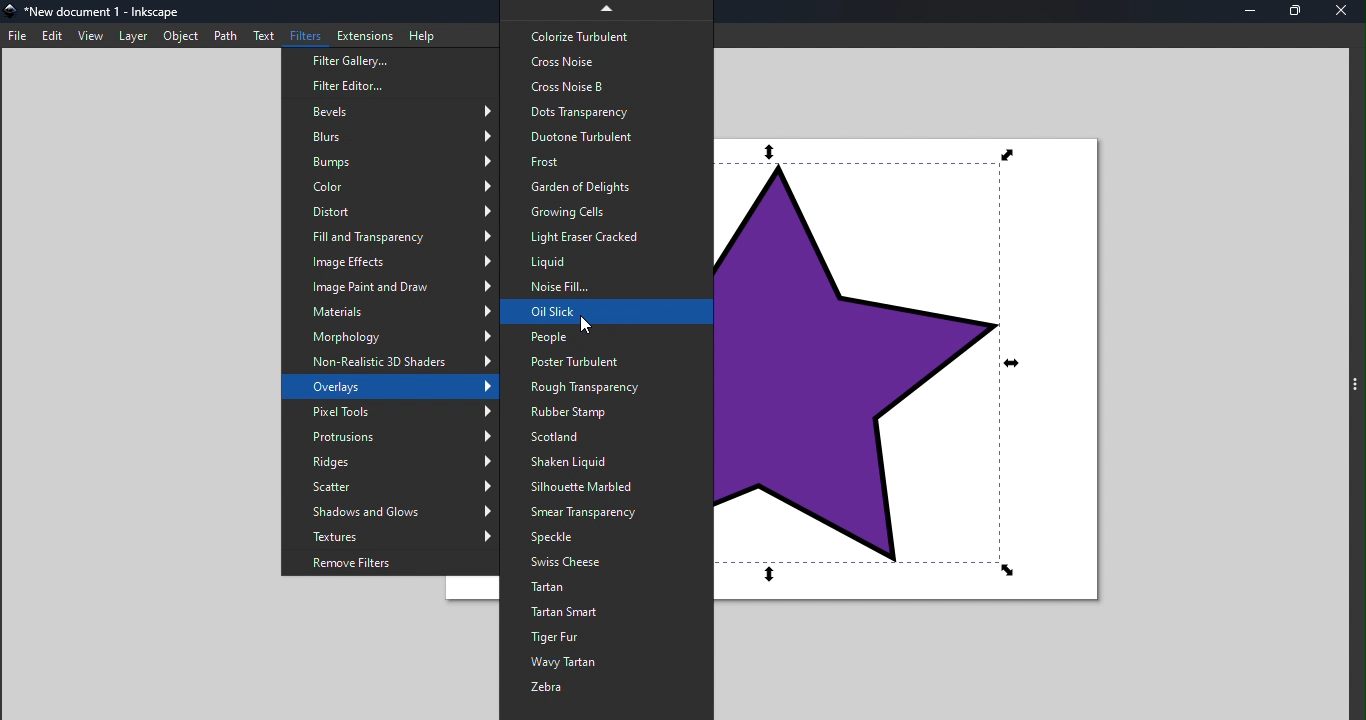 The height and width of the screenshot is (720, 1366). What do you see at coordinates (606, 313) in the screenshot?
I see `Oil slick` at bounding box center [606, 313].